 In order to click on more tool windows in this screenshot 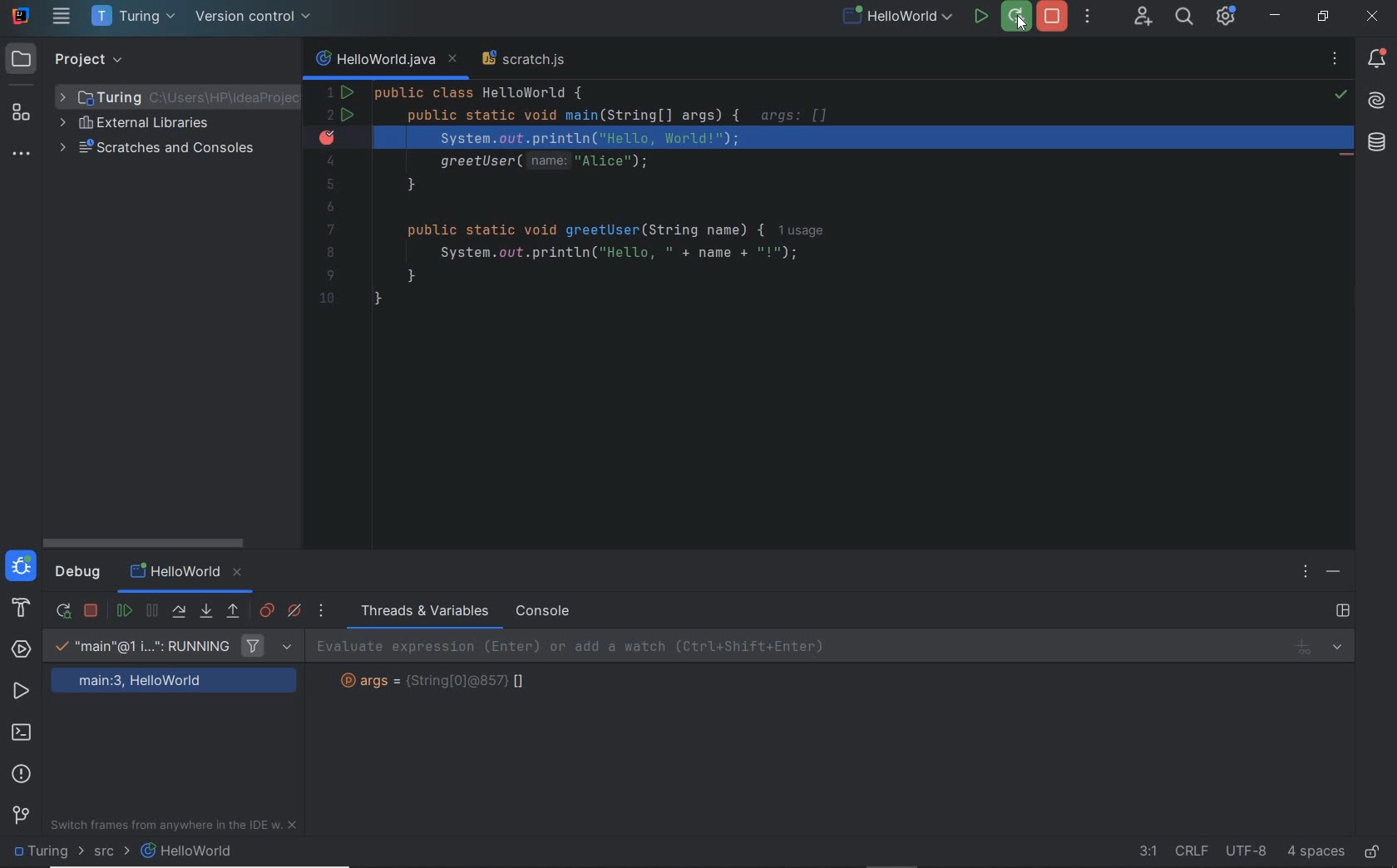, I will do `click(19, 155)`.